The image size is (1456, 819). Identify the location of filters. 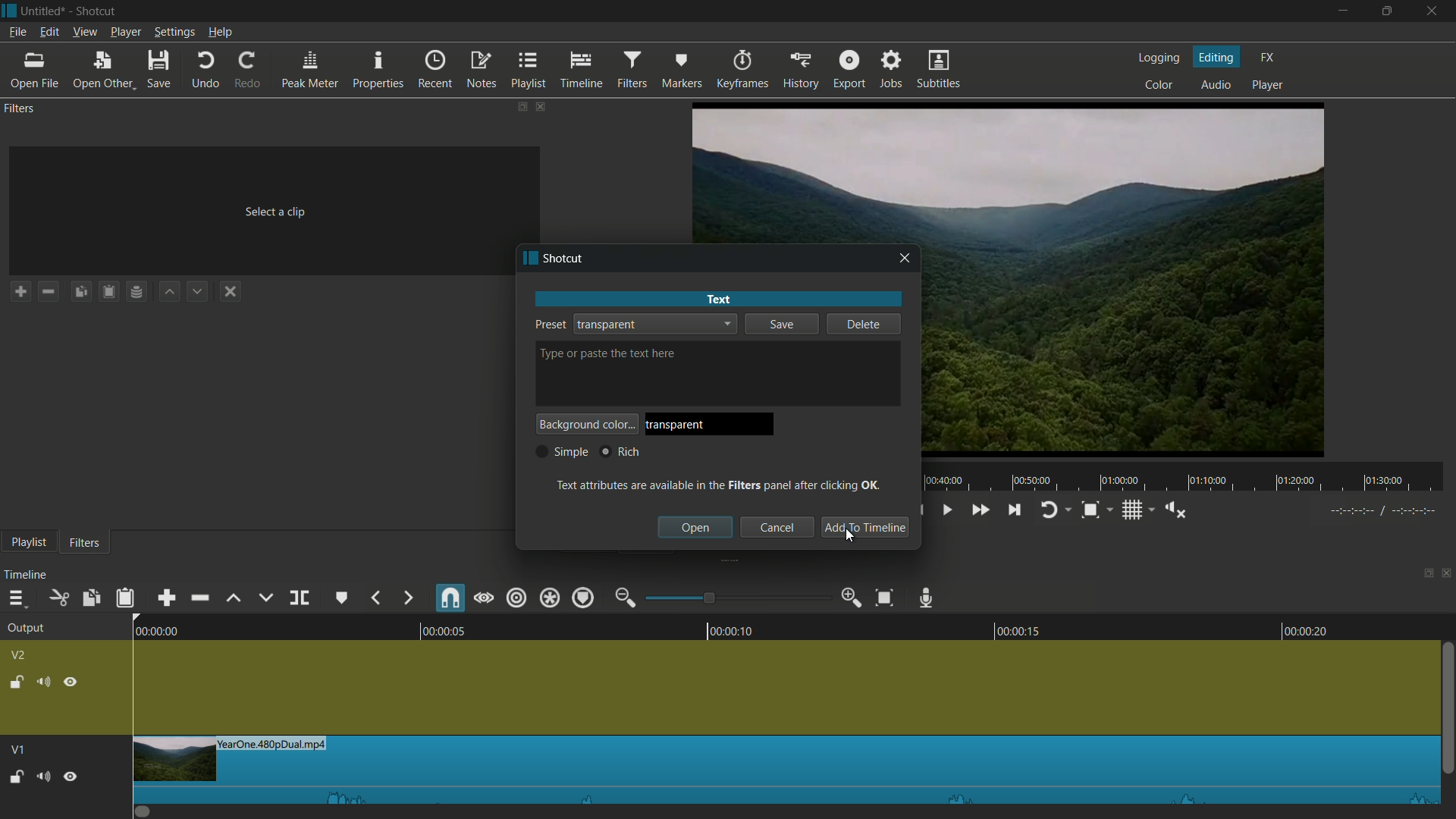
(88, 542).